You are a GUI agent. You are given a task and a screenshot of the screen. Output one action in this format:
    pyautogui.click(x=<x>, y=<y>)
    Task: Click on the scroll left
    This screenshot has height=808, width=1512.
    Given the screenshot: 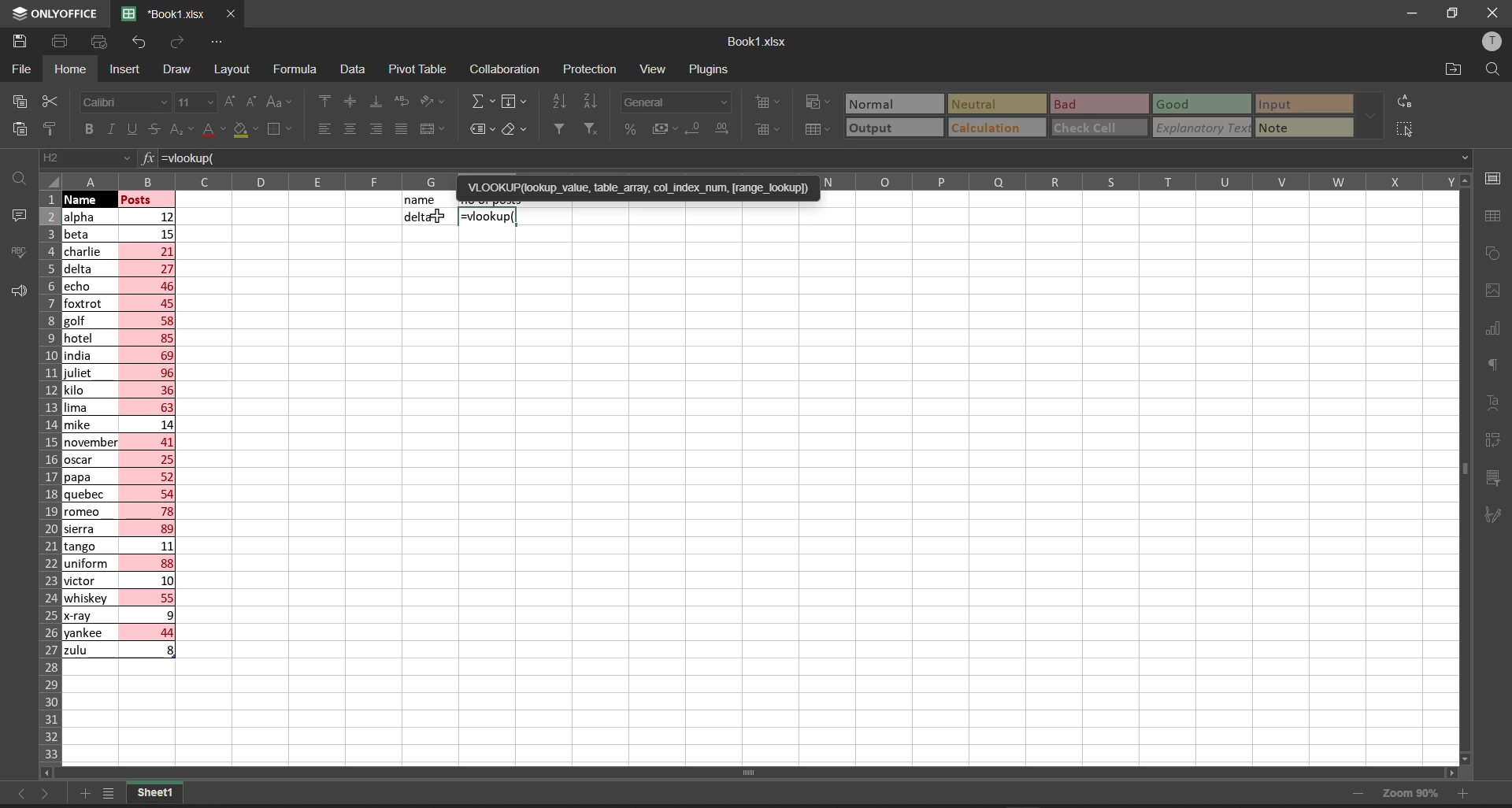 What is the action you would take?
    pyautogui.click(x=55, y=772)
    